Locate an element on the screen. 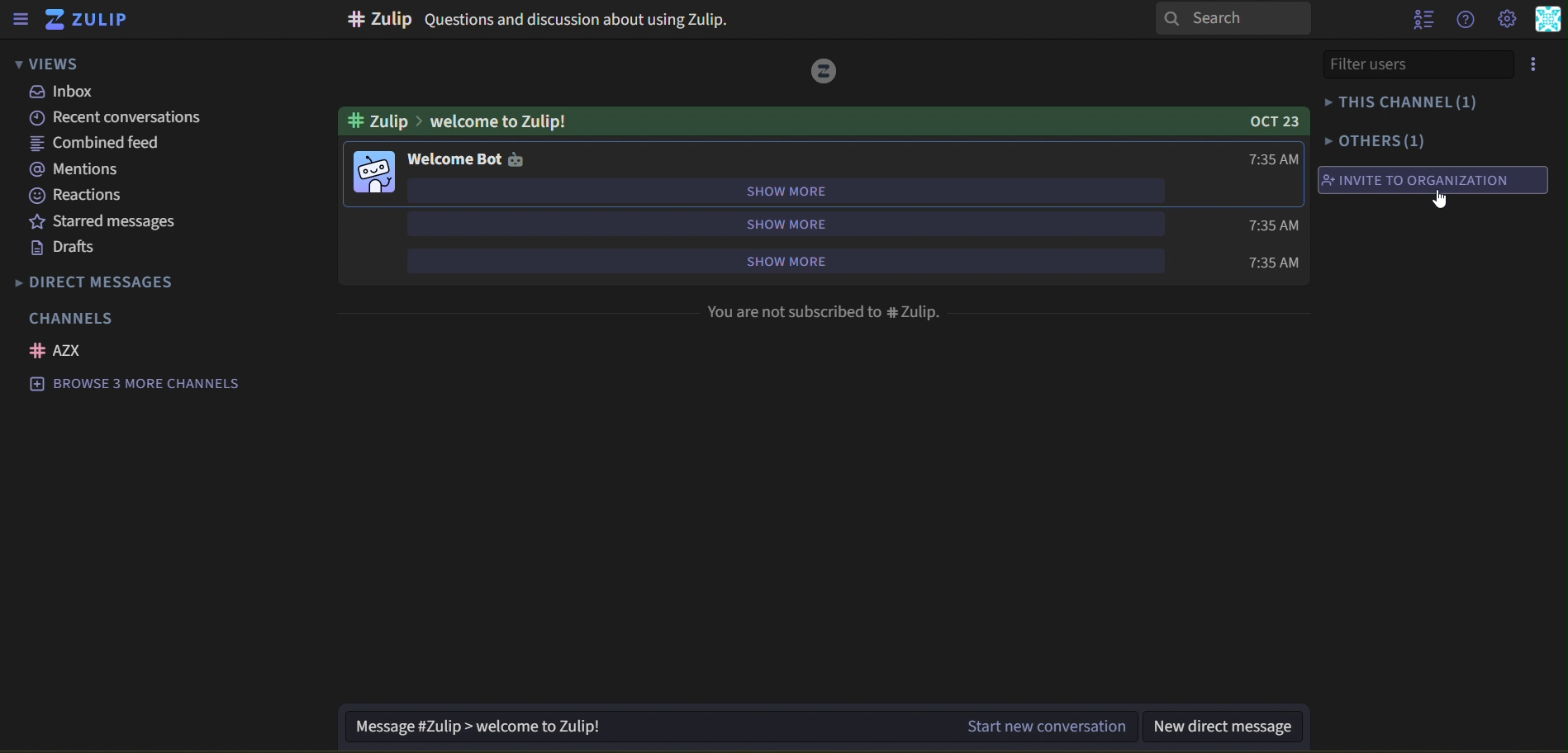 This screenshot has width=1568, height=753. show more is located at coordinates (786, 191).